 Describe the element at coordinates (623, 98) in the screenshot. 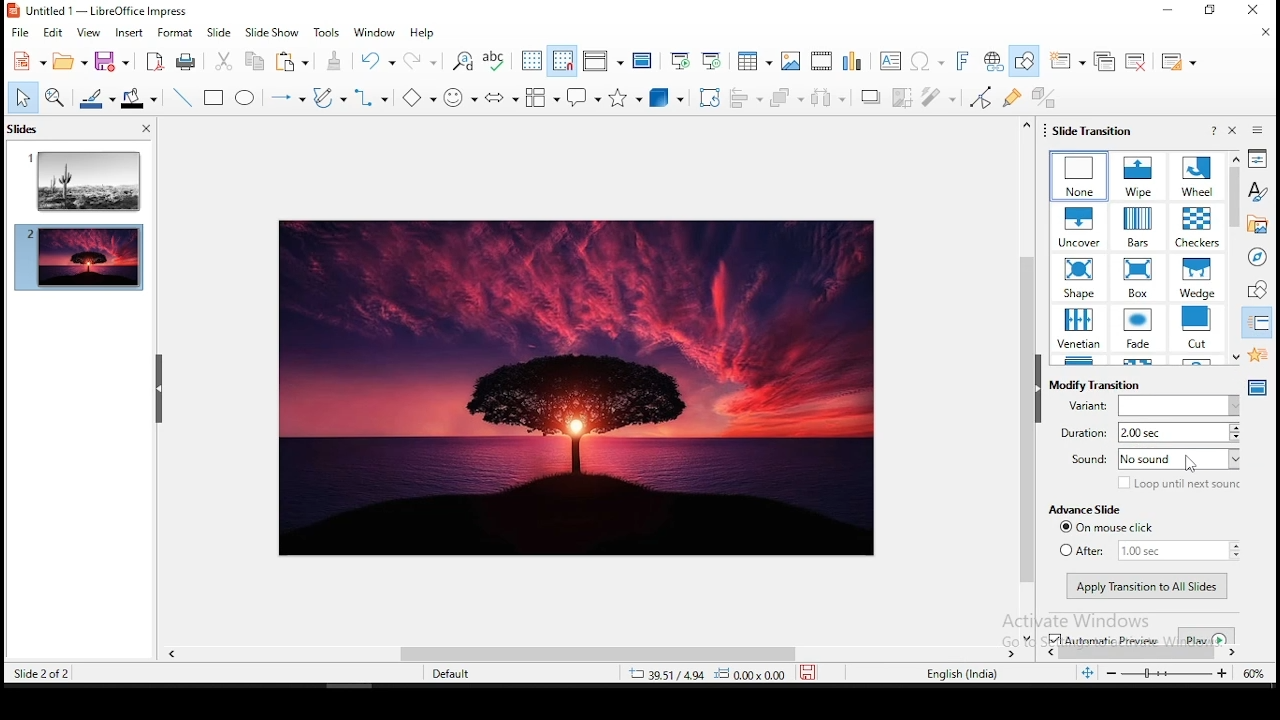

I see `stars and banners` at that location.